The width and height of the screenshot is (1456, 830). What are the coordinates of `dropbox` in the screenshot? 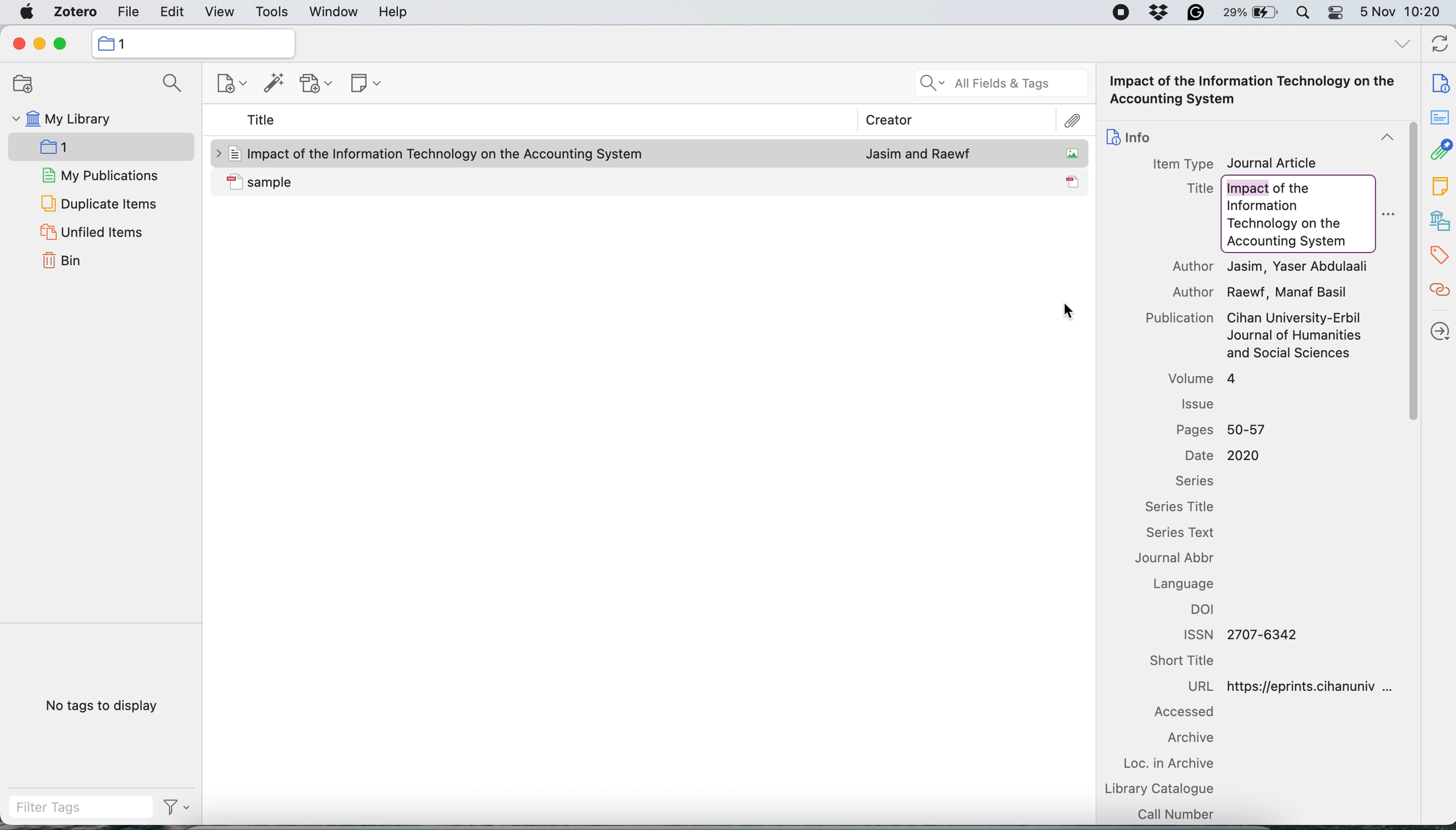 It's located at (1160, 13).